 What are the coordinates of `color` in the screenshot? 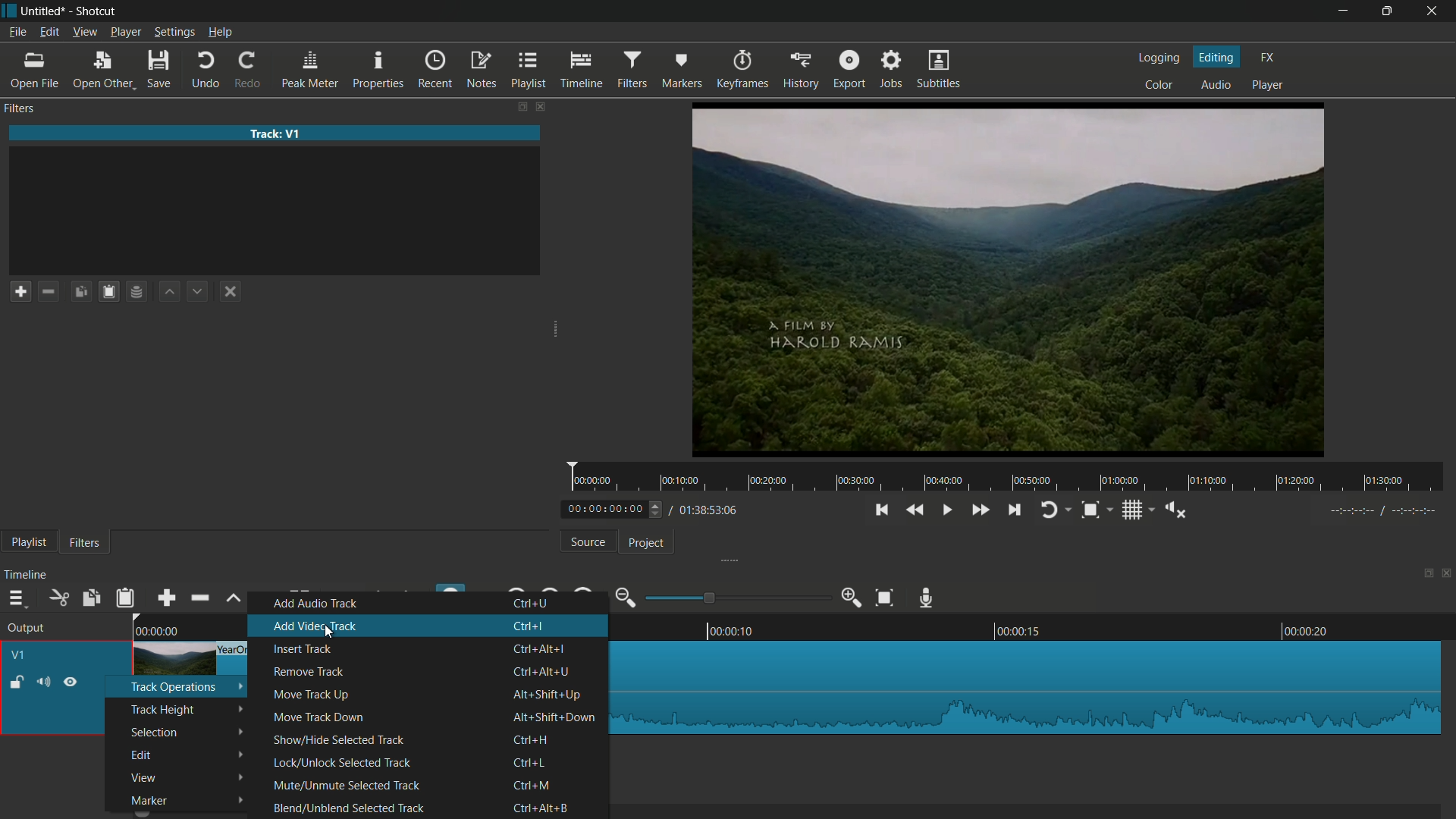 It's located at (1162, 86).